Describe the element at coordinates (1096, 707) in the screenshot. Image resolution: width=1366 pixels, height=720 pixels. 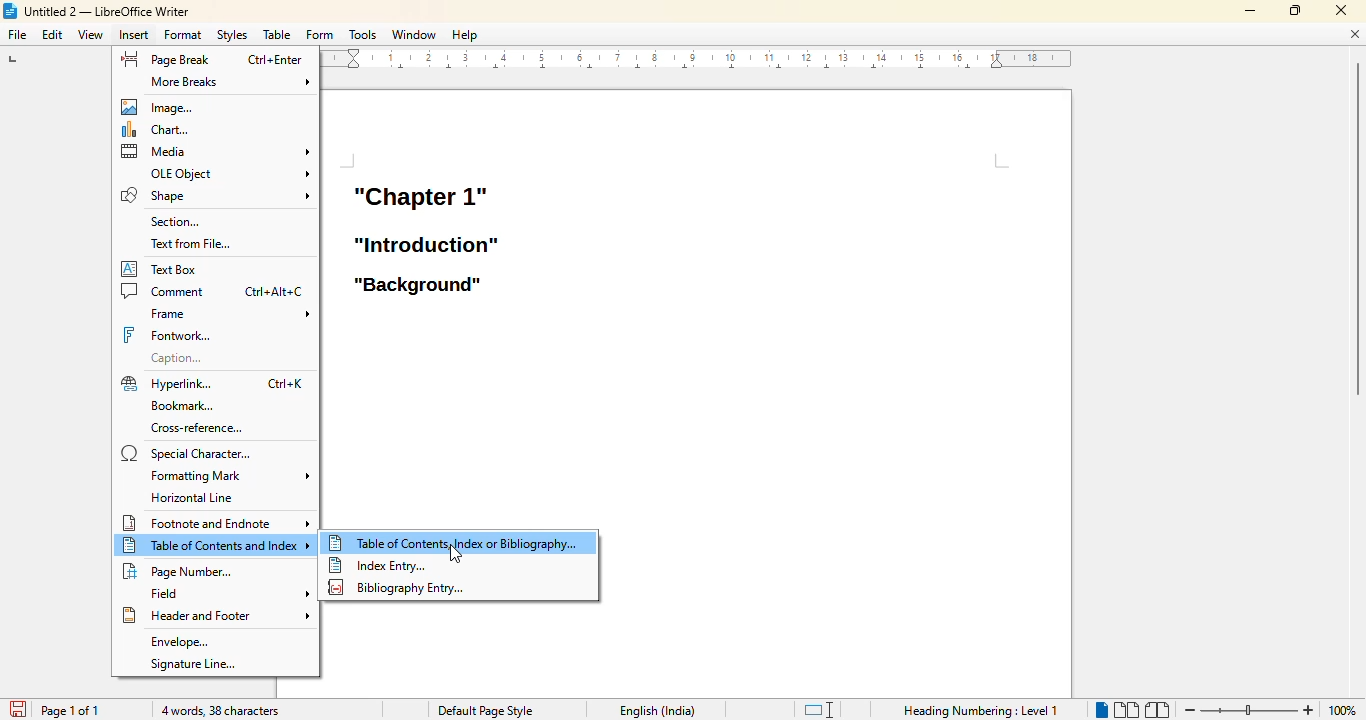
I see `view single page` at that location.